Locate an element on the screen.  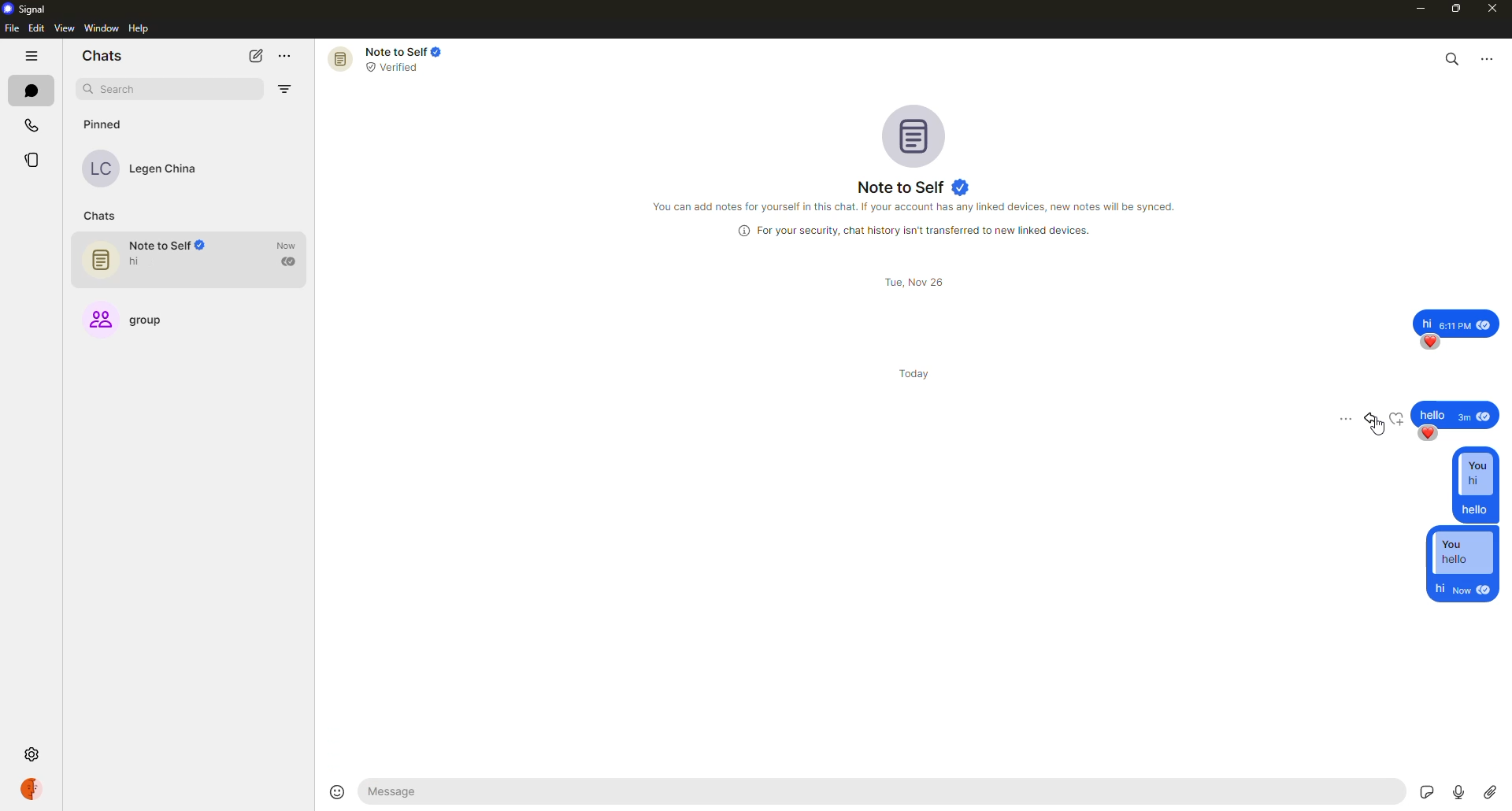
window is located at coordinates (101, 28).